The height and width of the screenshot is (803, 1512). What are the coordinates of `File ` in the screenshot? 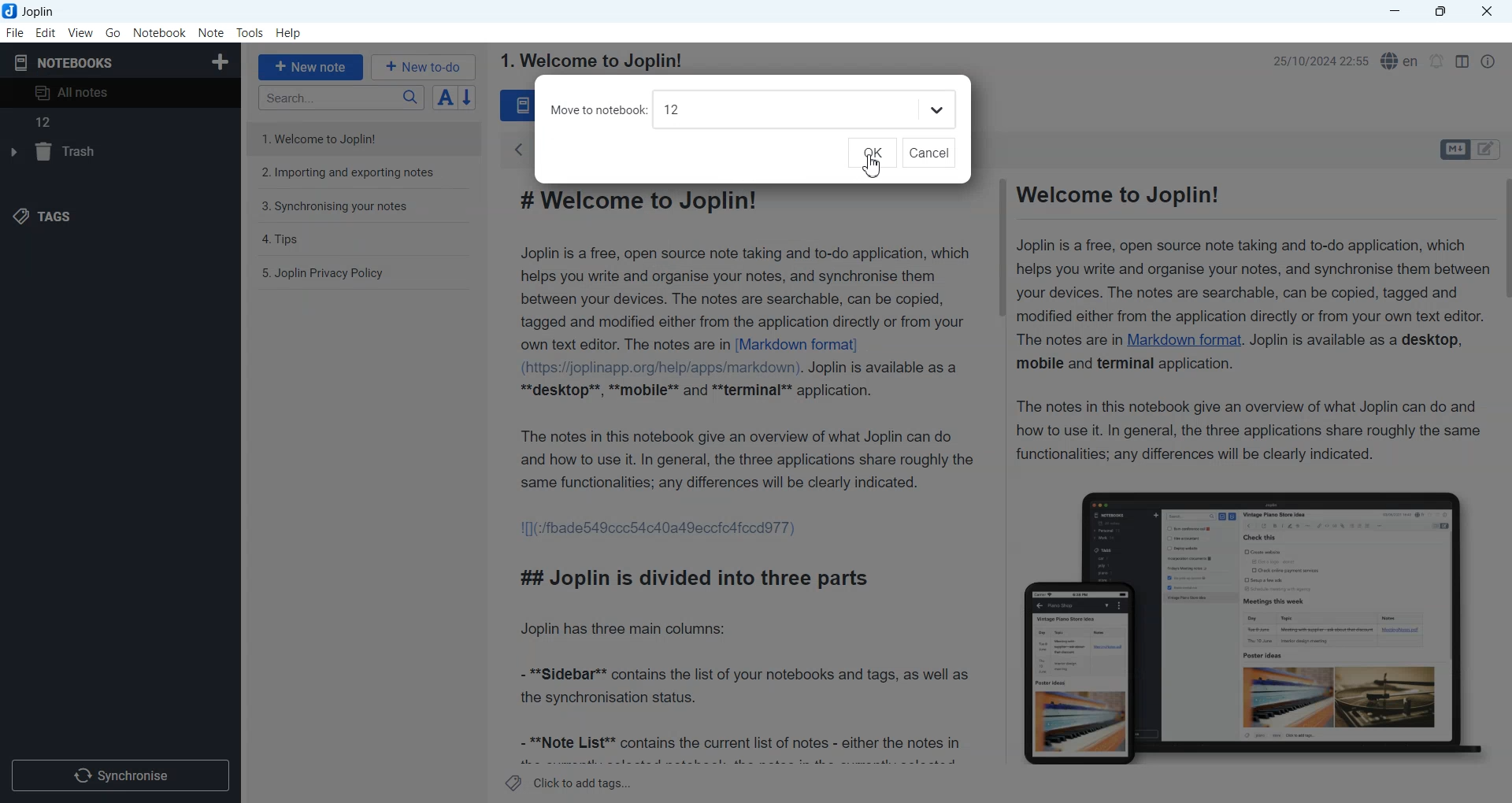 It's located at (14, 32).